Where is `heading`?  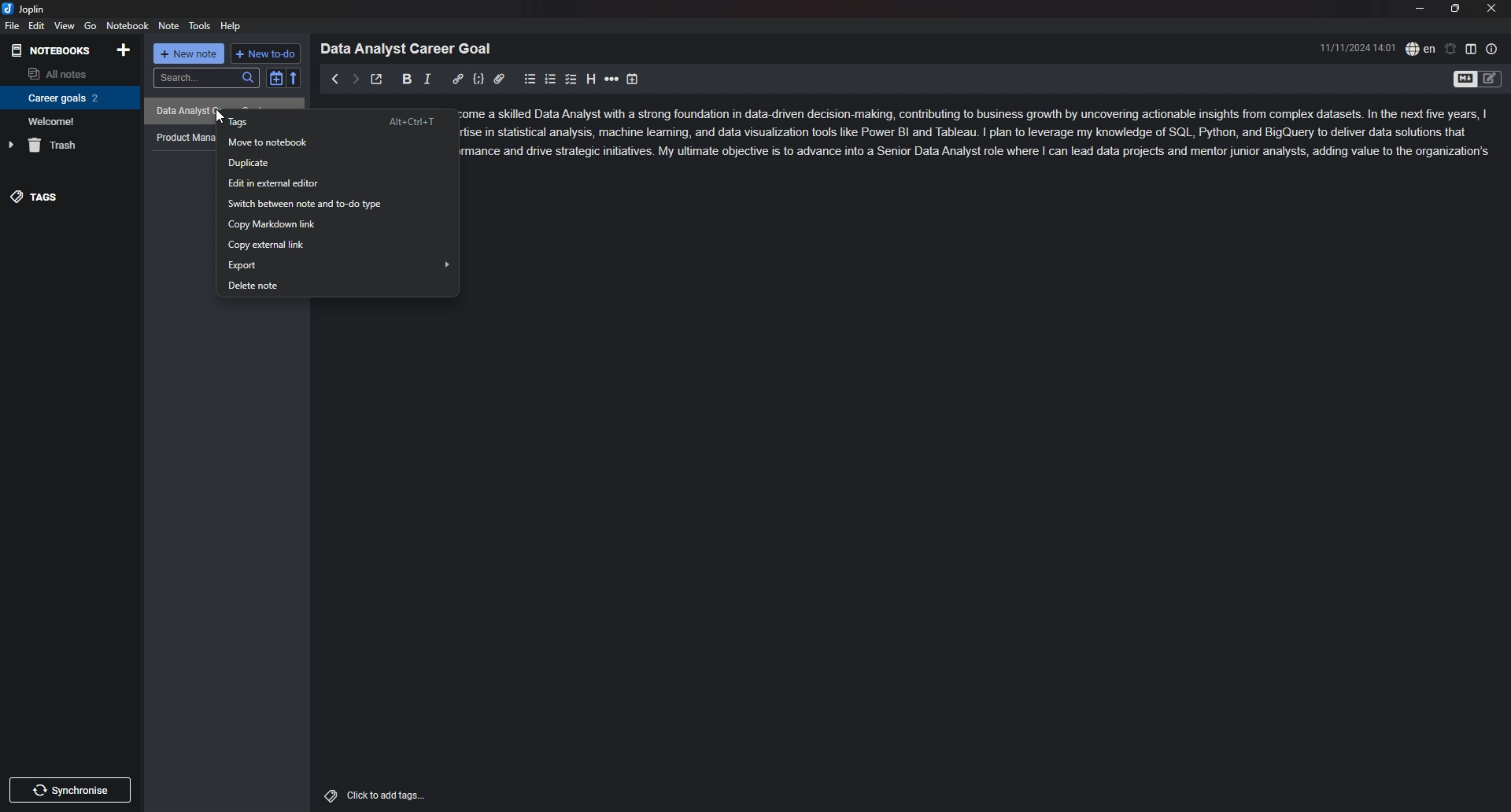
heading is located at coordinates (591, 79).